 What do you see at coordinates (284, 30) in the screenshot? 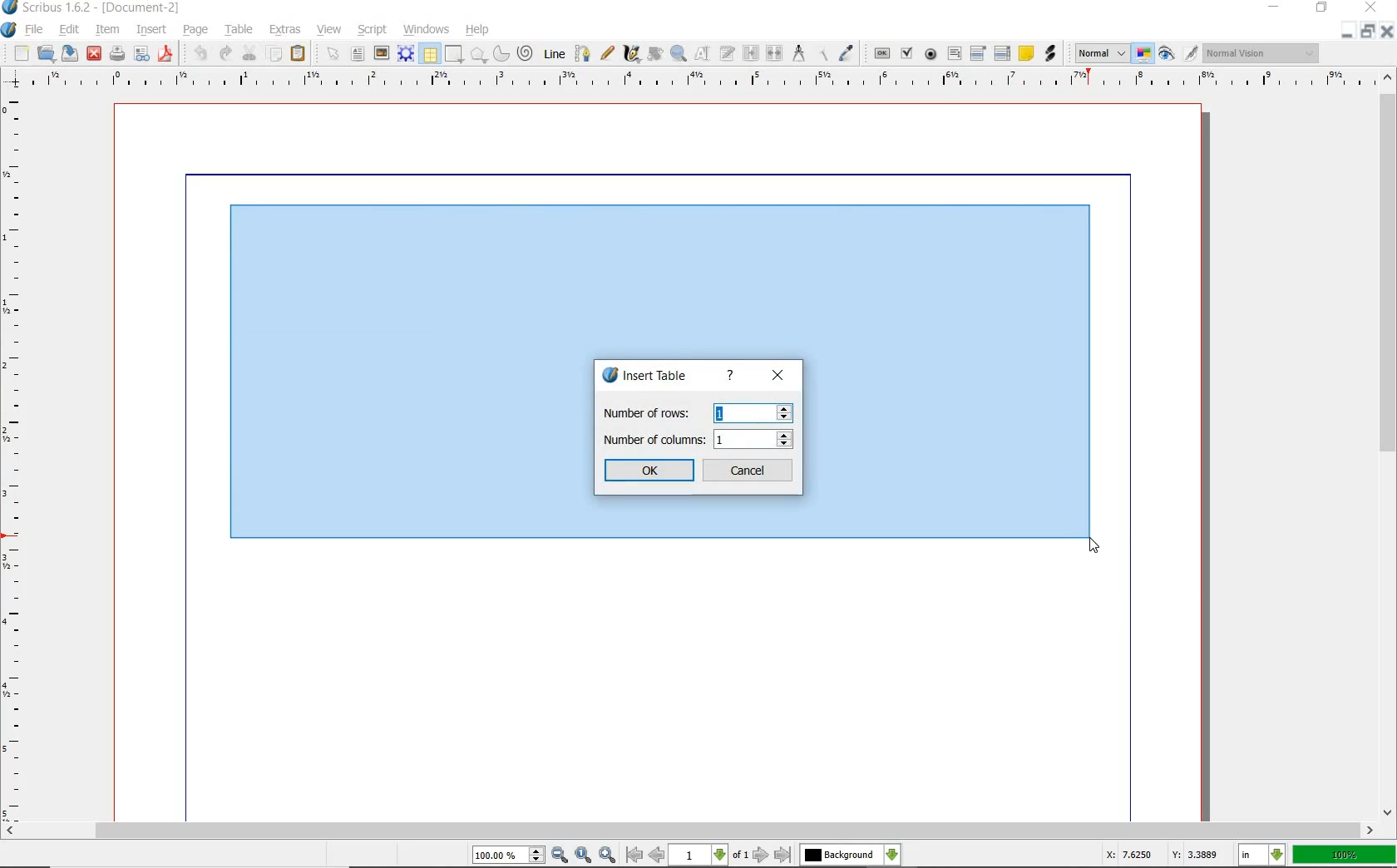
I see `extras` at bounding box center [284, 30].